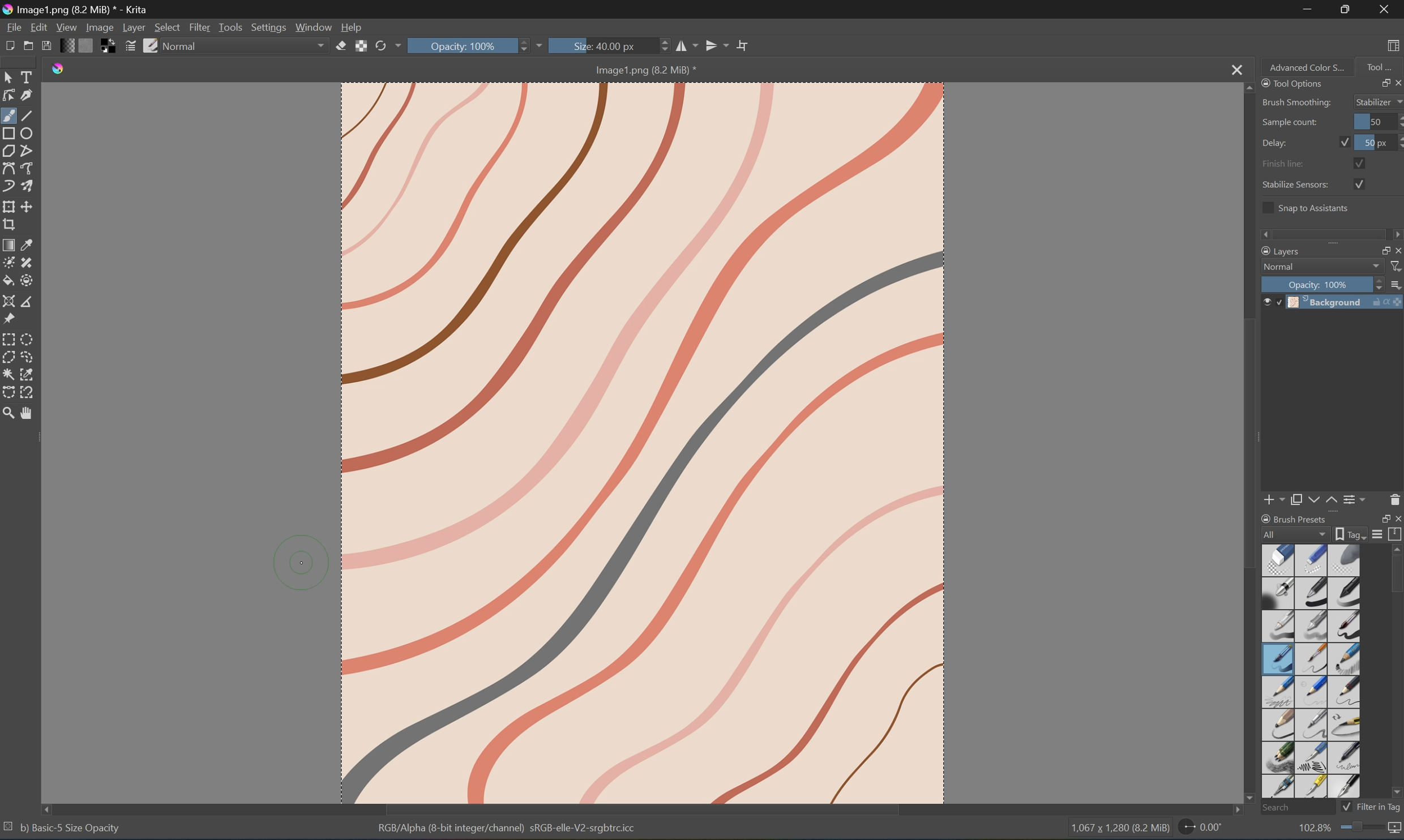 This screenshot has width=1404, height=840. What do you see at coordinates (1379, 535) in the screenshot?
I see `Display settings` at bounding box center [1379, 535].